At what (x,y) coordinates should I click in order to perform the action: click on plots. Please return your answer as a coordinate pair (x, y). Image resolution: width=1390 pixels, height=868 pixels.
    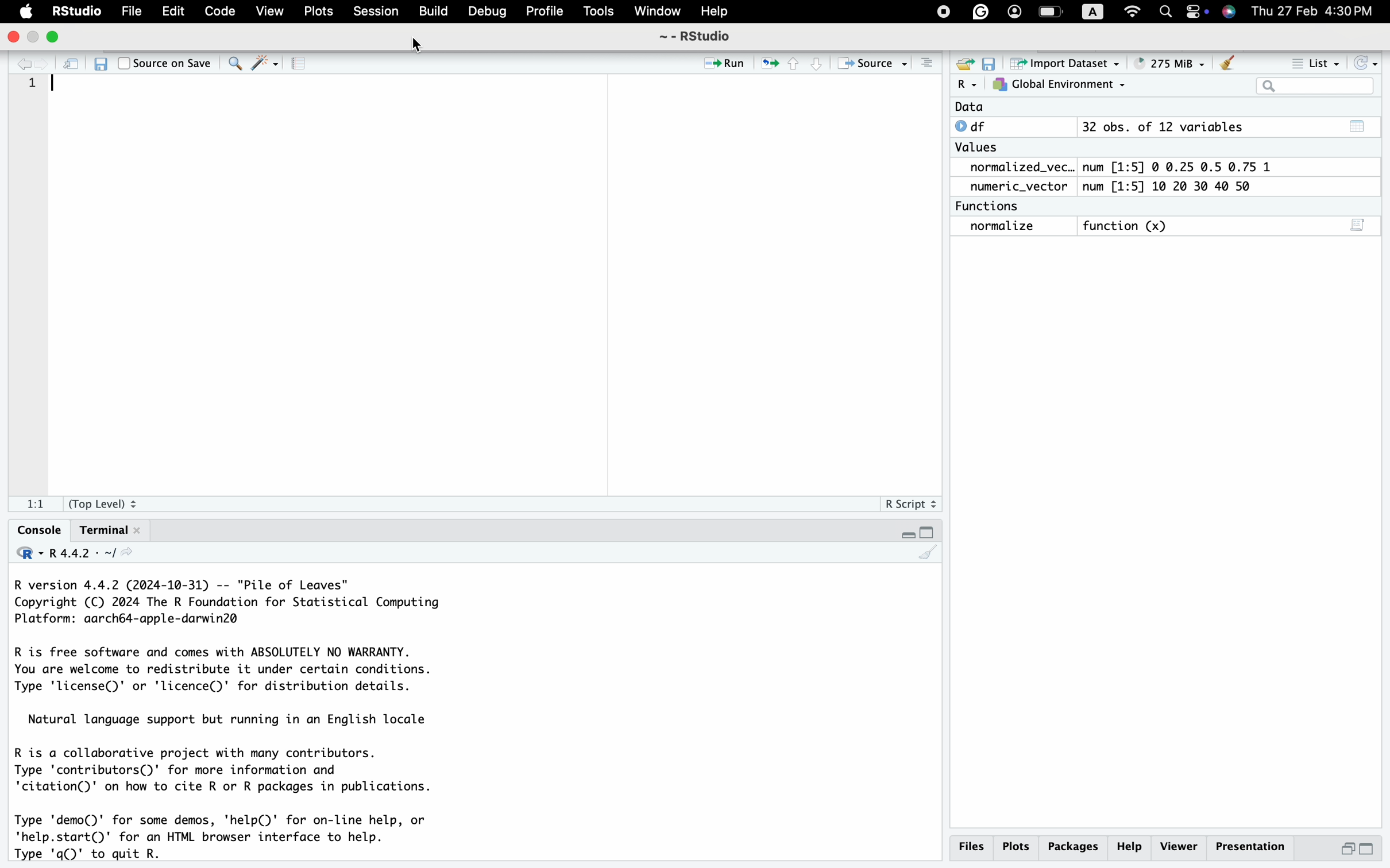
    Looking at the image, I should click on (1016, 847).